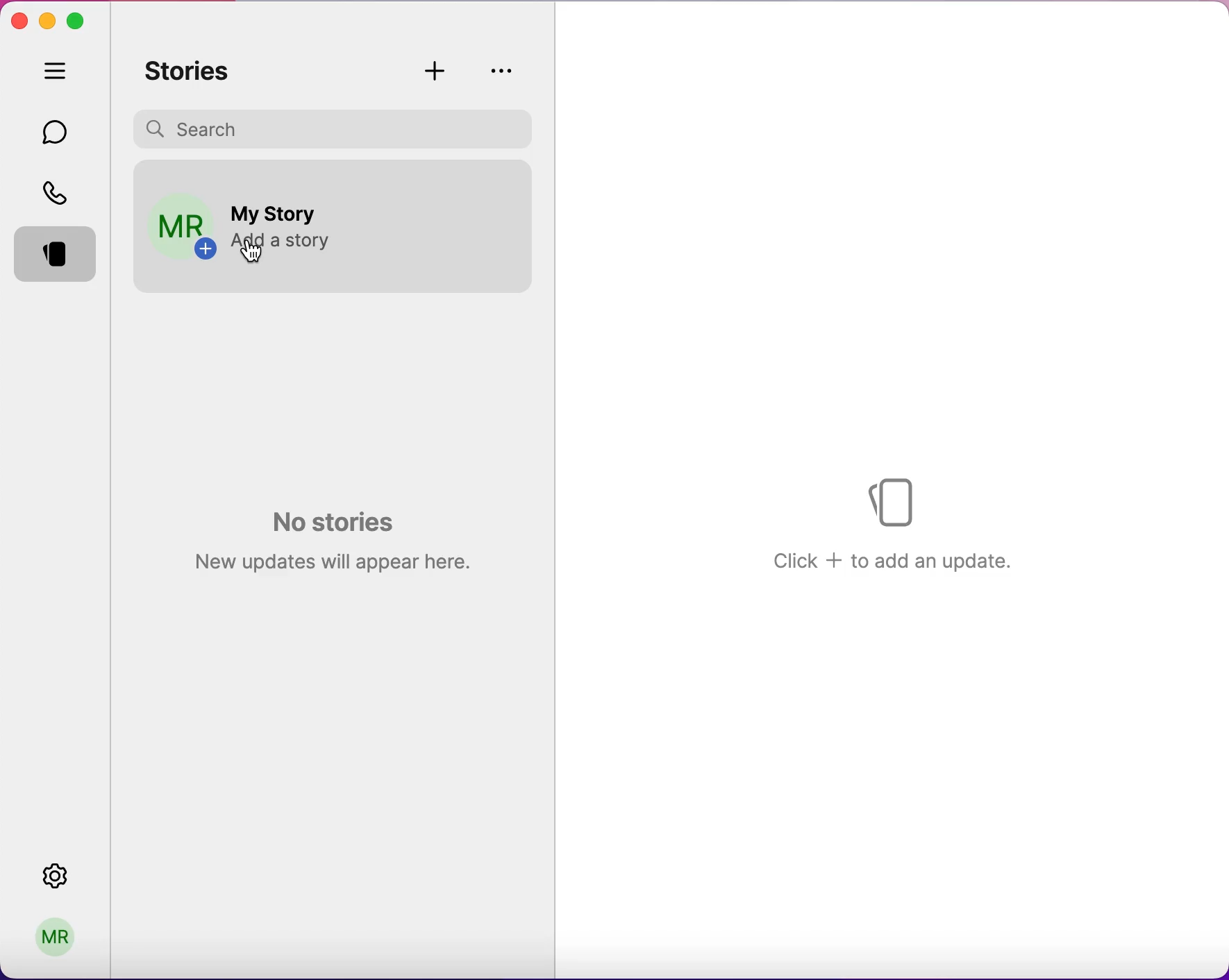  I want to click on settings, so click(69, 876).